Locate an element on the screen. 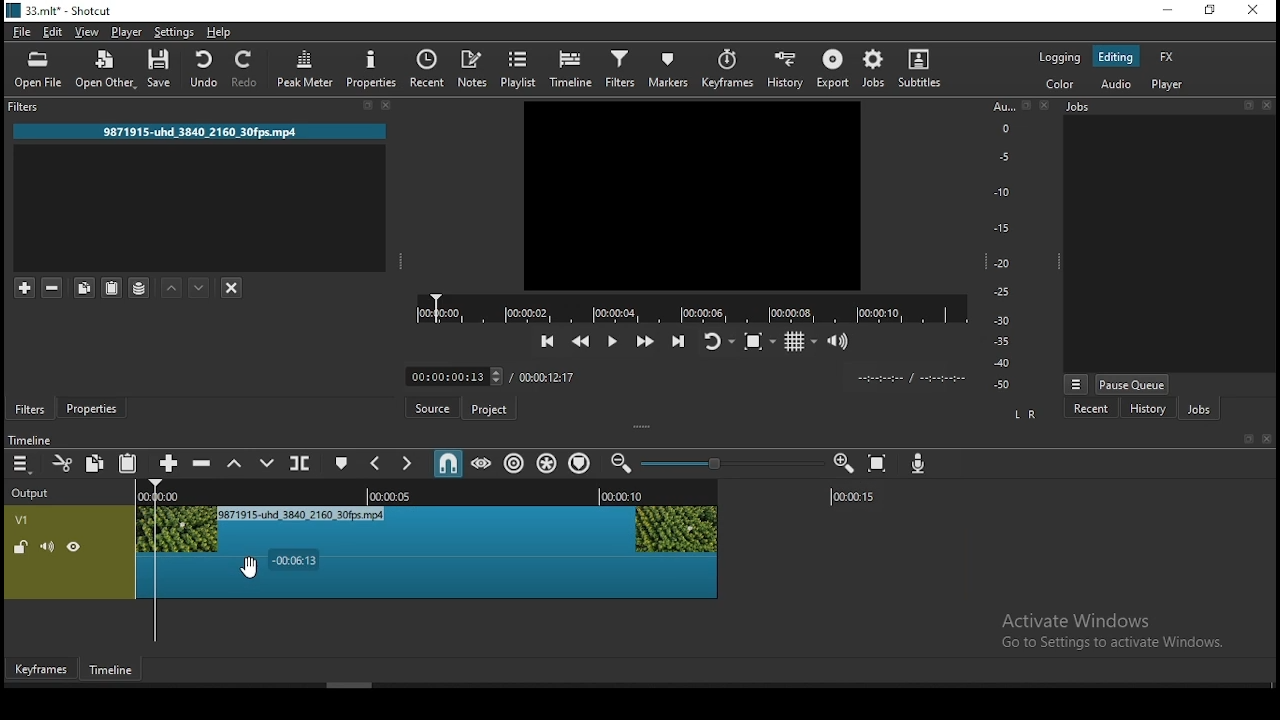 The height and width of the screenshot is (720, 1280). copy selected filter is located at coordinates (84, 284).